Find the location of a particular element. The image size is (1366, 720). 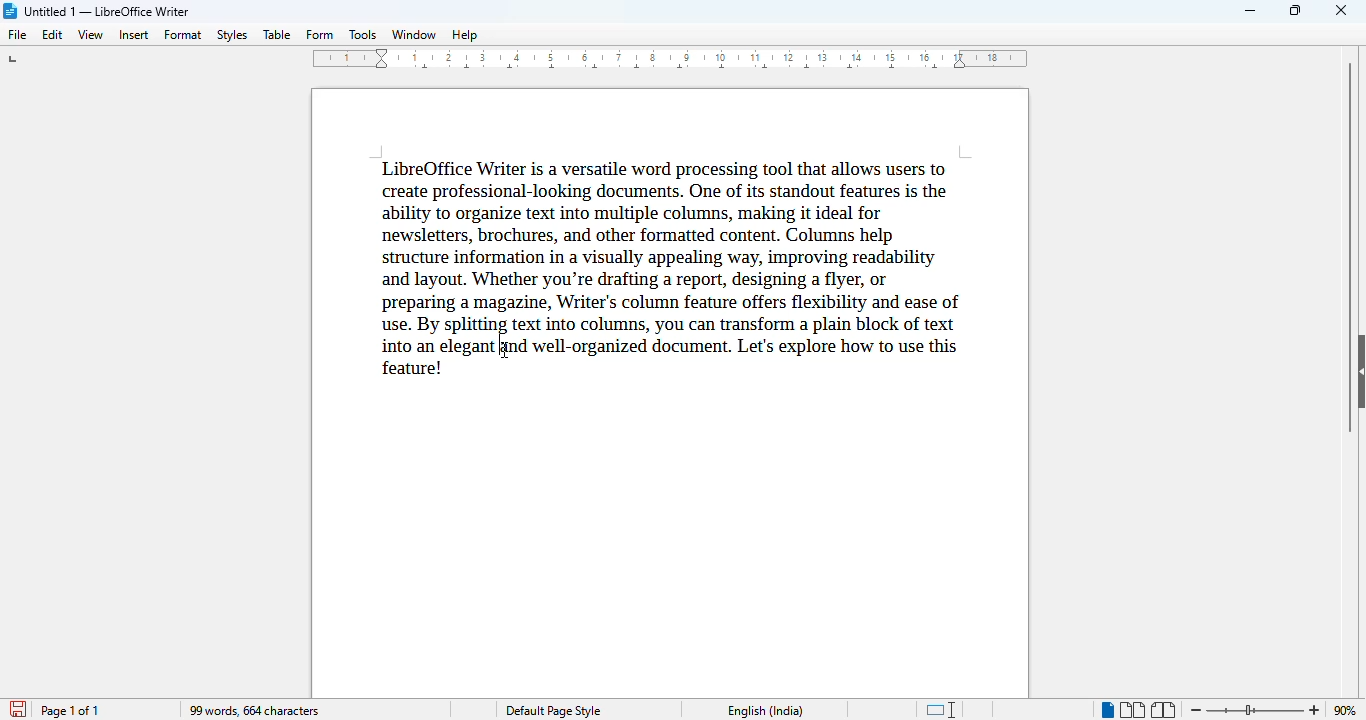

single-page view is located at coordinates (1106, 710).